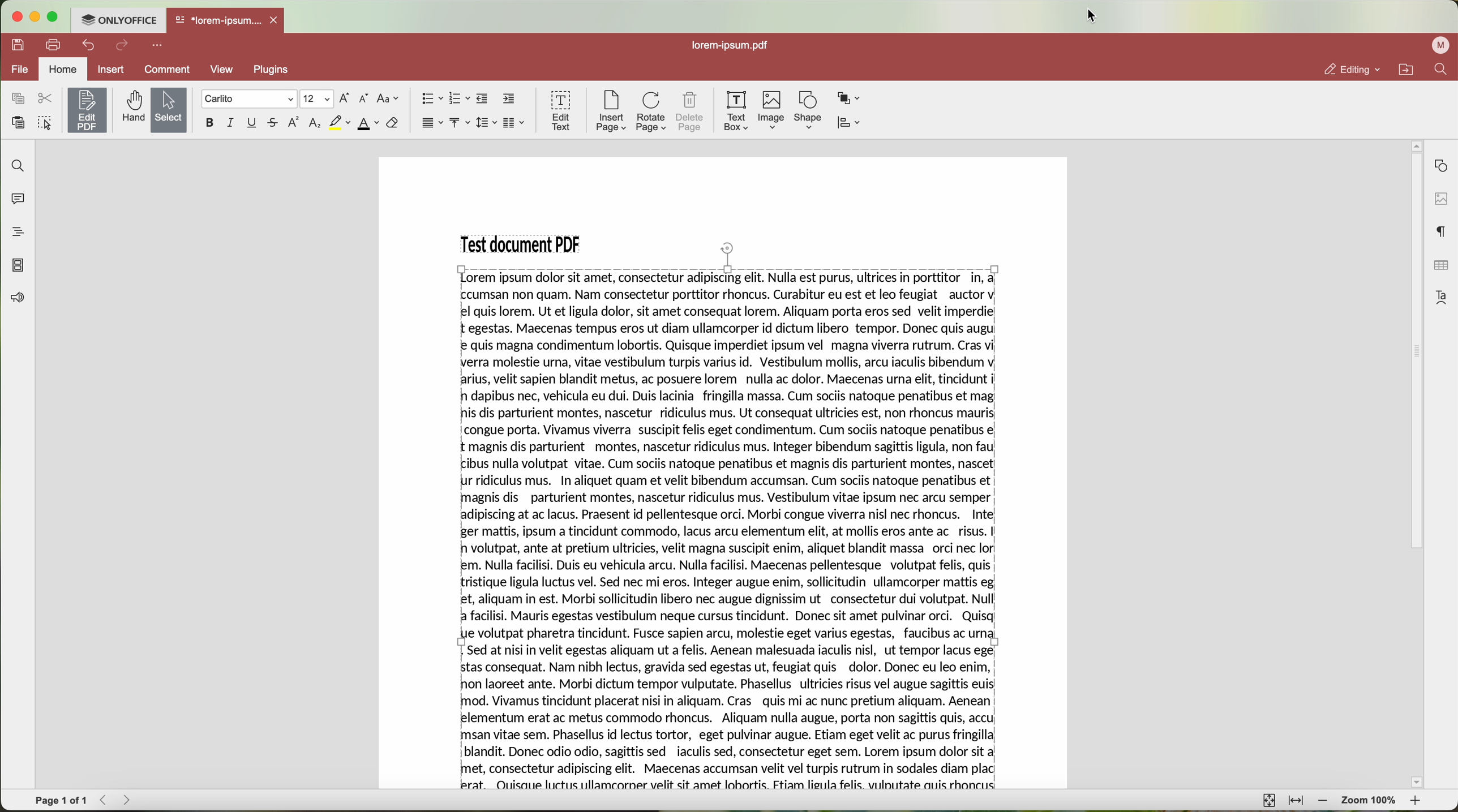  What do you see at coordinates (389, 98) in the screenshot?
I see `change case` at bounding box center [389, 98].